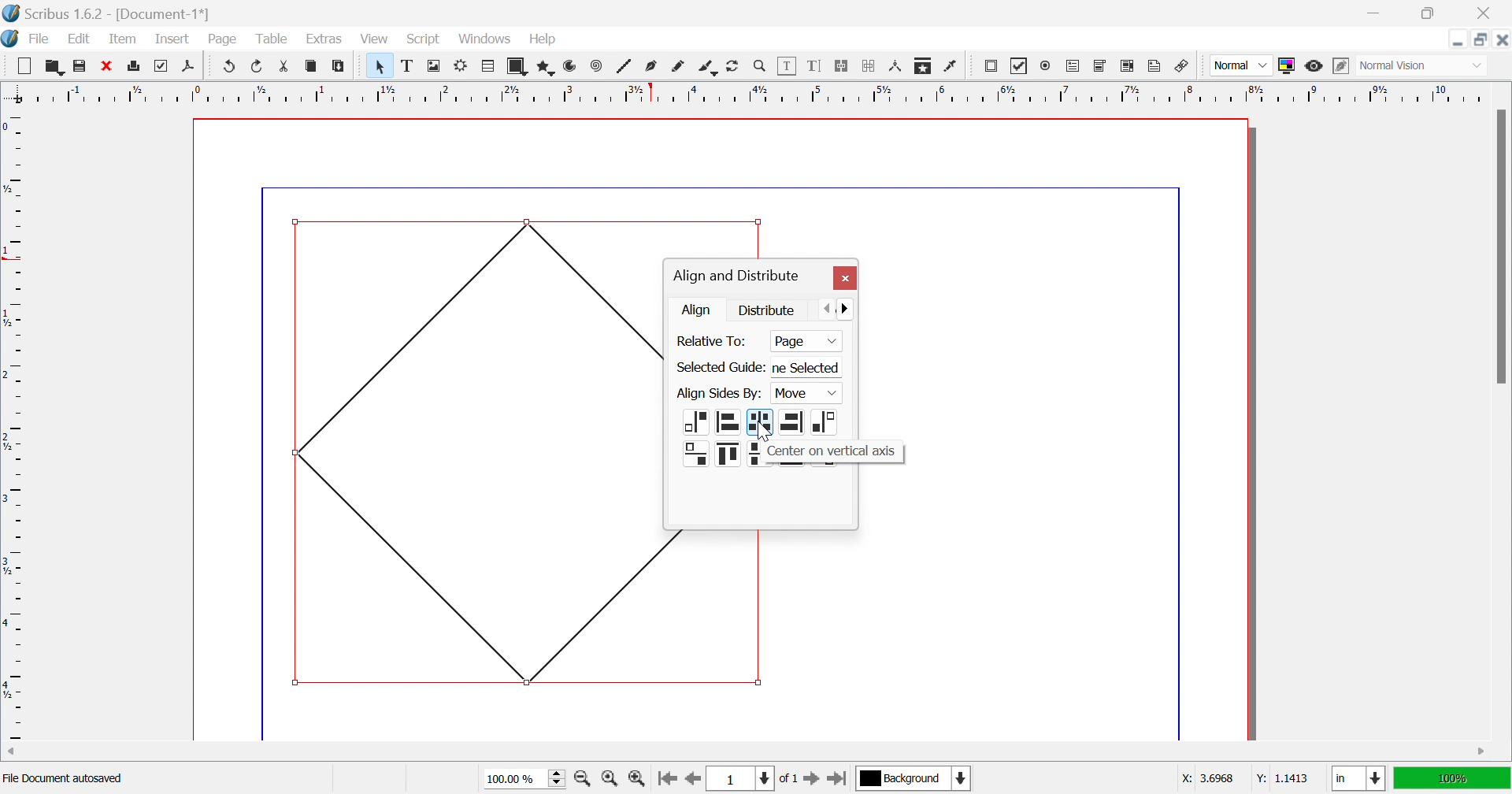 This screenshot has height=794, width=1512. What do you see at coordinates (691, 784) in the screenshot?
I see `Go to the previous page` at bounding box center [691, 784].